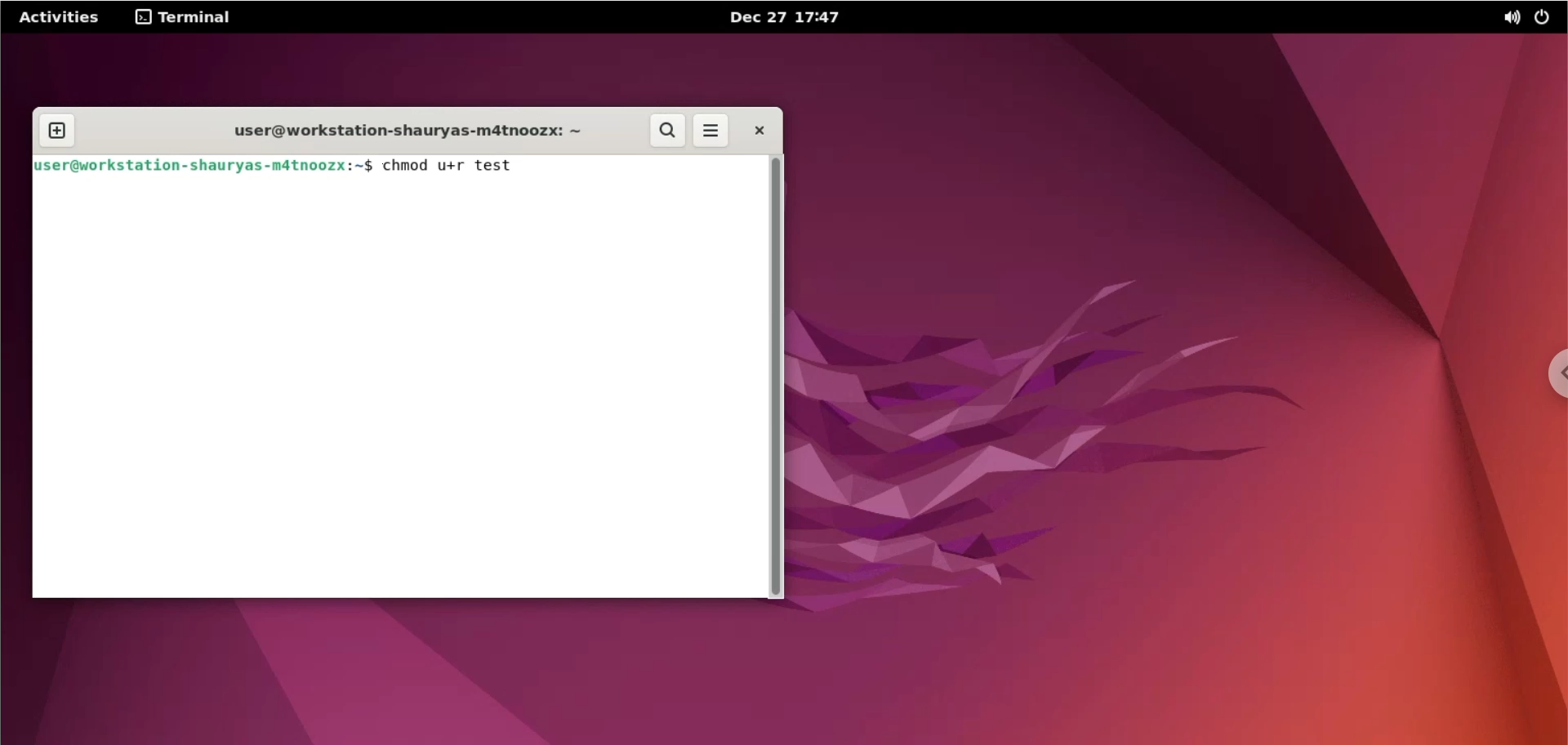 The height and width of the screenshot is (745, 1568). Describe the element at coordinates (800, 16) in the screenshot. I see `Dec 27 17:47` at that location.